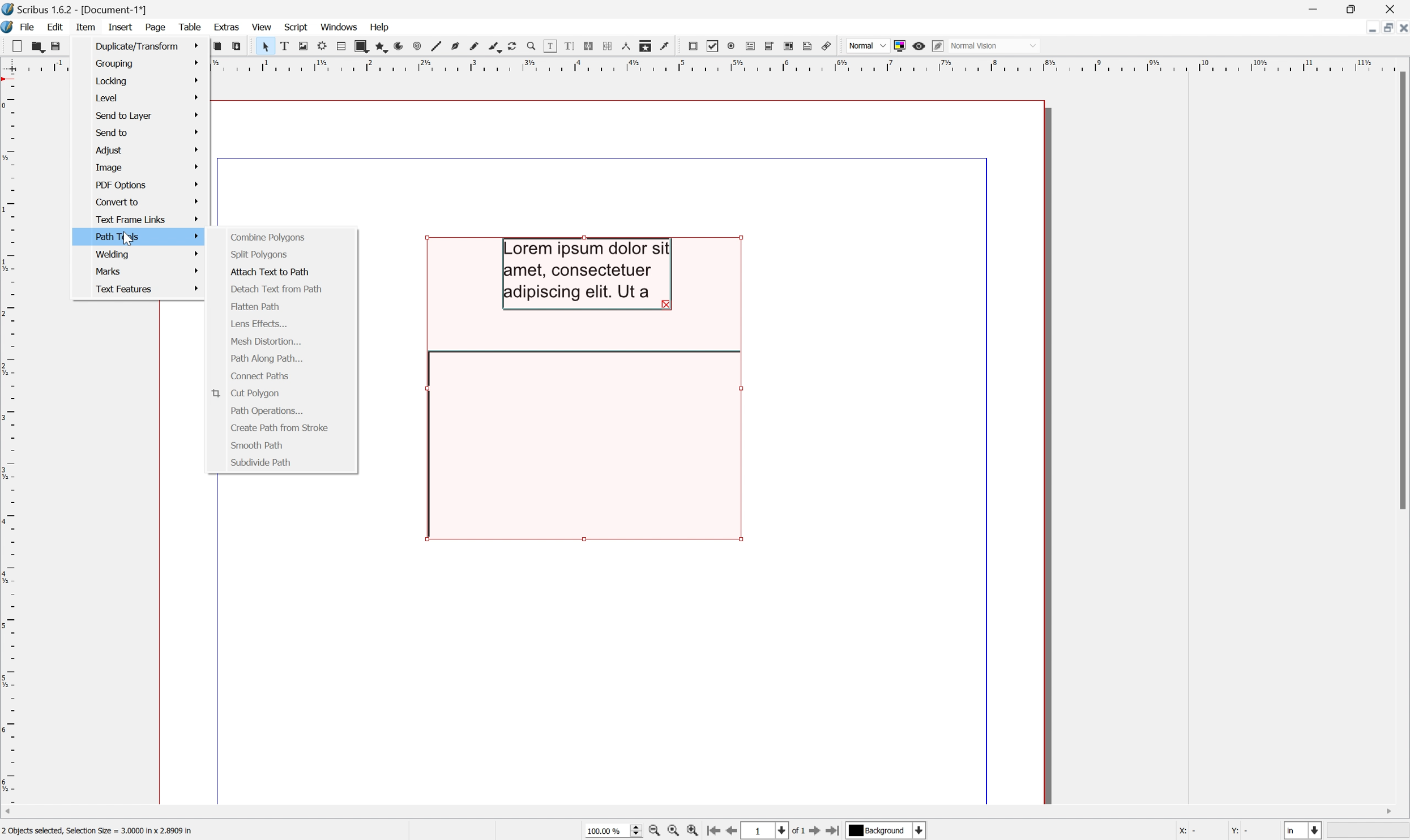  I want to click on Page, so click(156, 28).